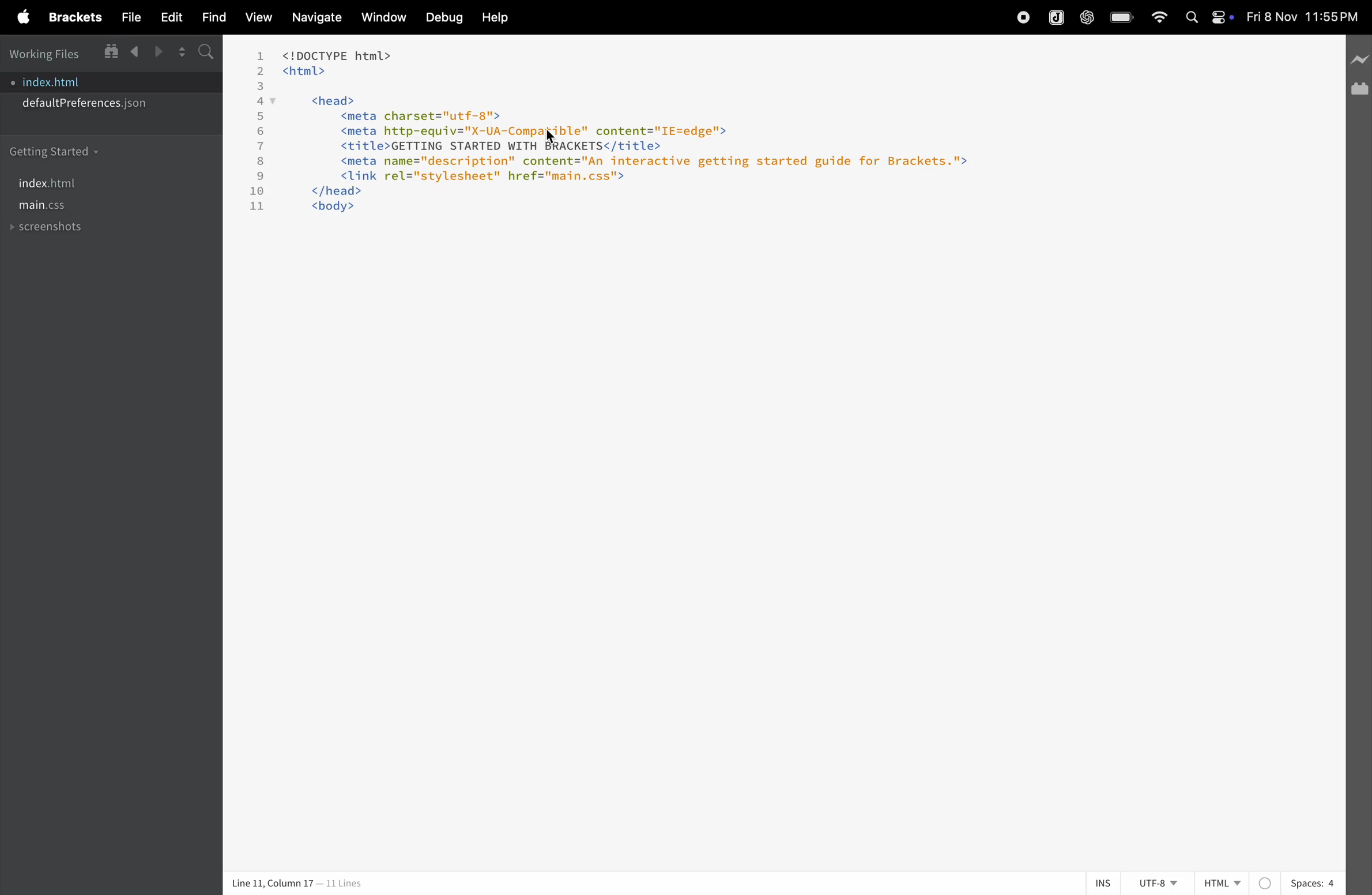  Describe the element at coordinates (296, 883) in the screenshot. I see `line 11, column 17 - 11 lines` at that location.